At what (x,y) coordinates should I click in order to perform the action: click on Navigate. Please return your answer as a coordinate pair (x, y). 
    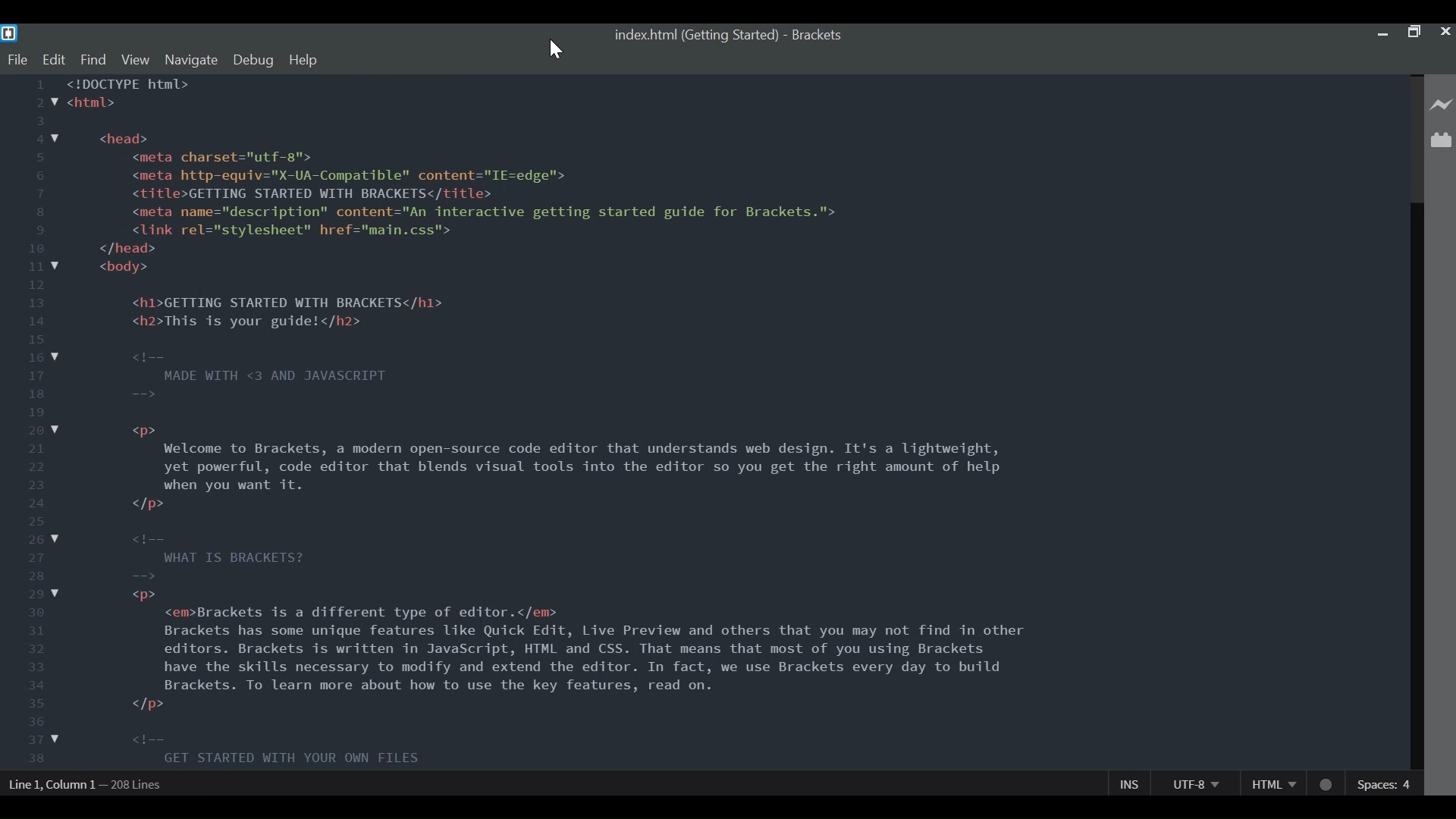
    Looking at the image, I should click on (192, 61).